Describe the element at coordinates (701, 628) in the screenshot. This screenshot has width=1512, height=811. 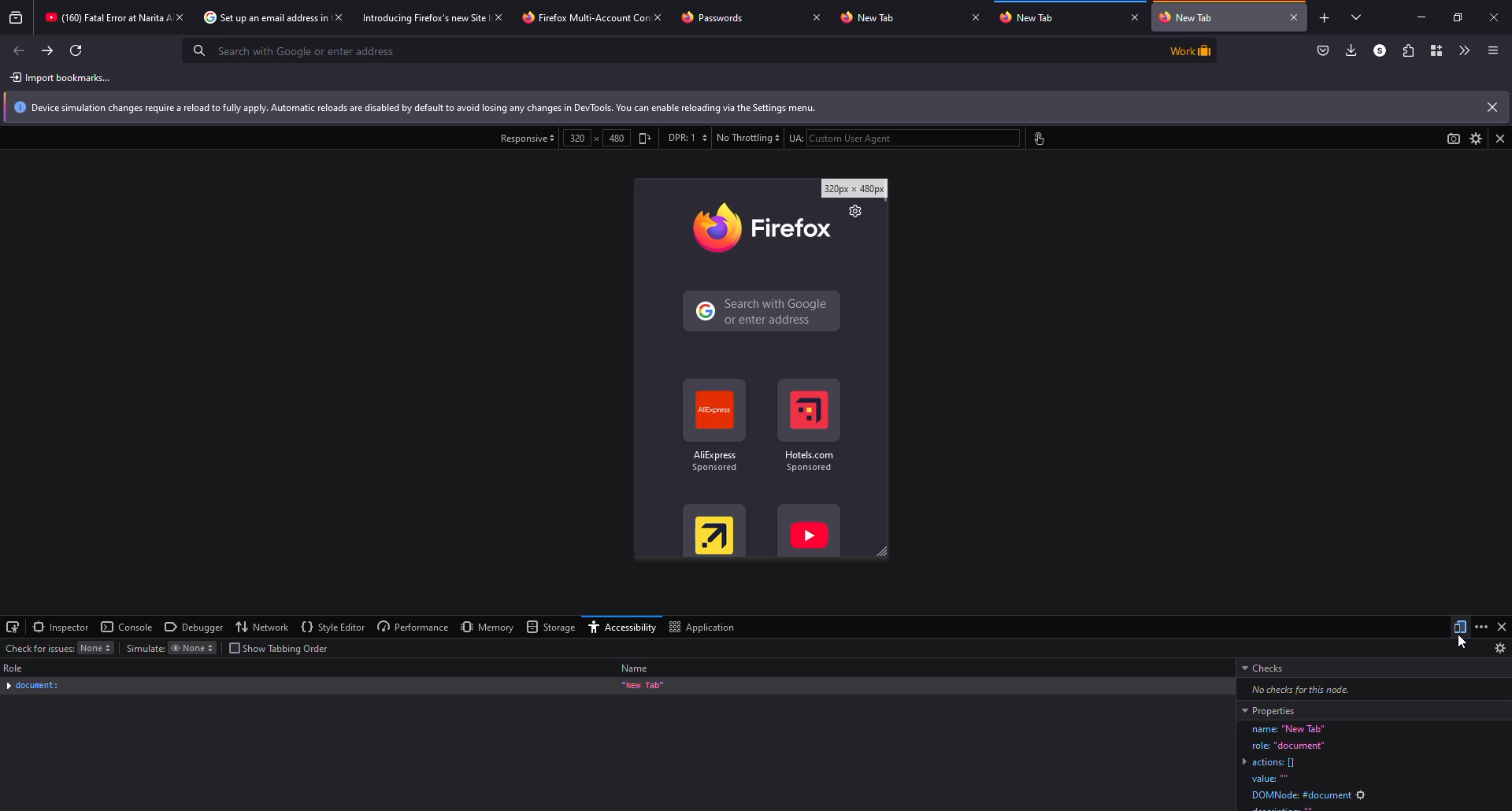
I see `application` at that location.